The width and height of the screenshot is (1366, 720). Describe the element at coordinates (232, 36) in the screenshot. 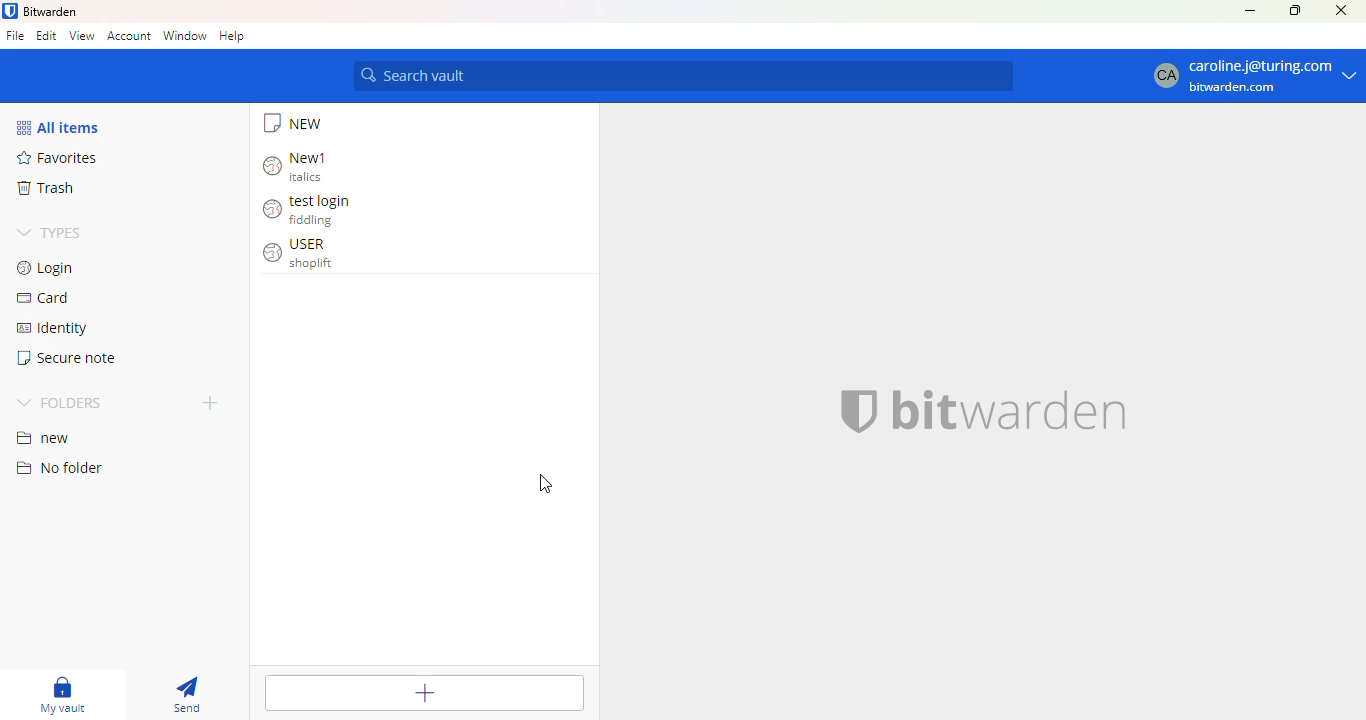

I see `help` at that location.